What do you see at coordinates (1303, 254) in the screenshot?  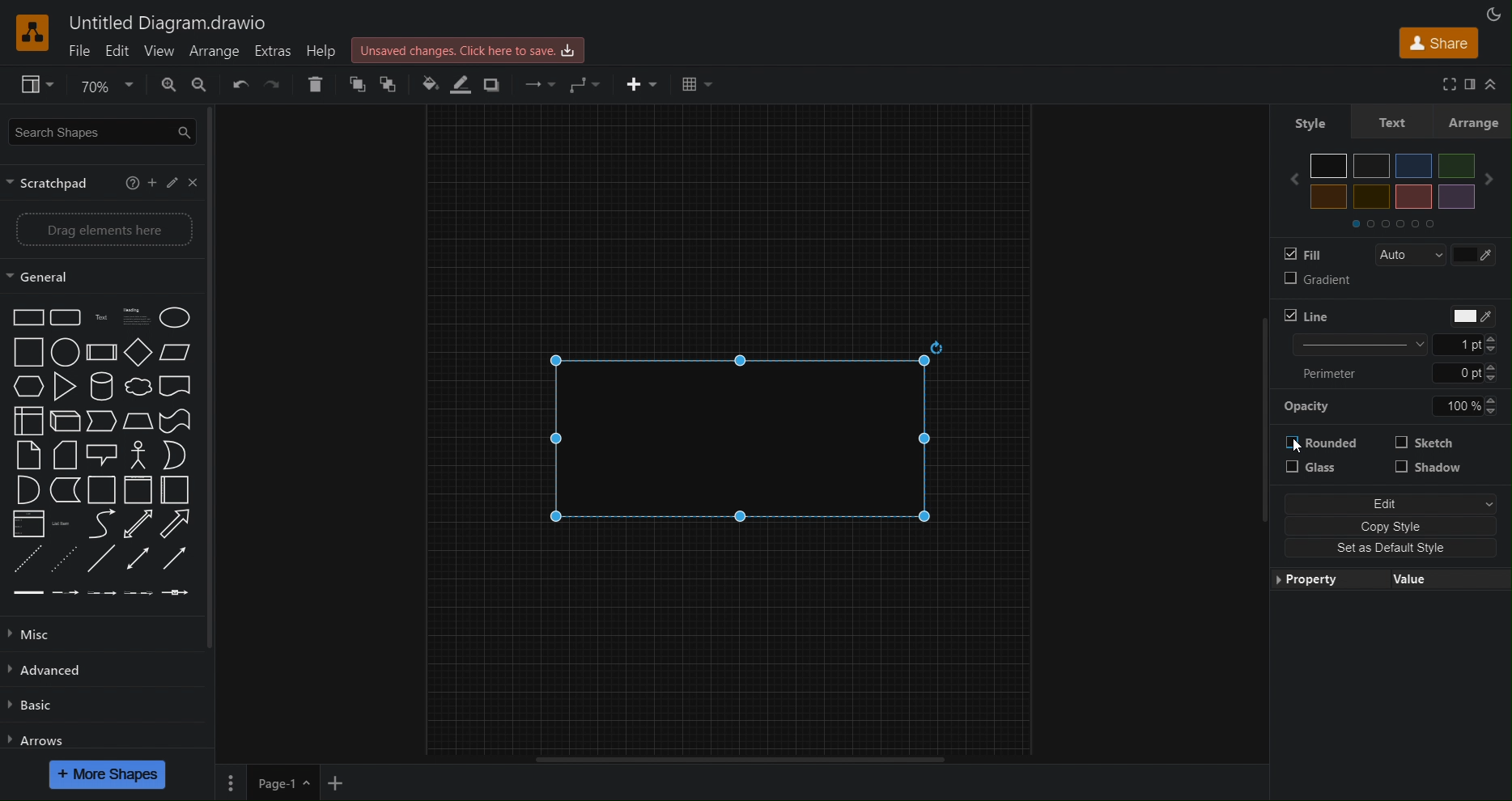 I see `Fill` at bounding box center [1303, 254].